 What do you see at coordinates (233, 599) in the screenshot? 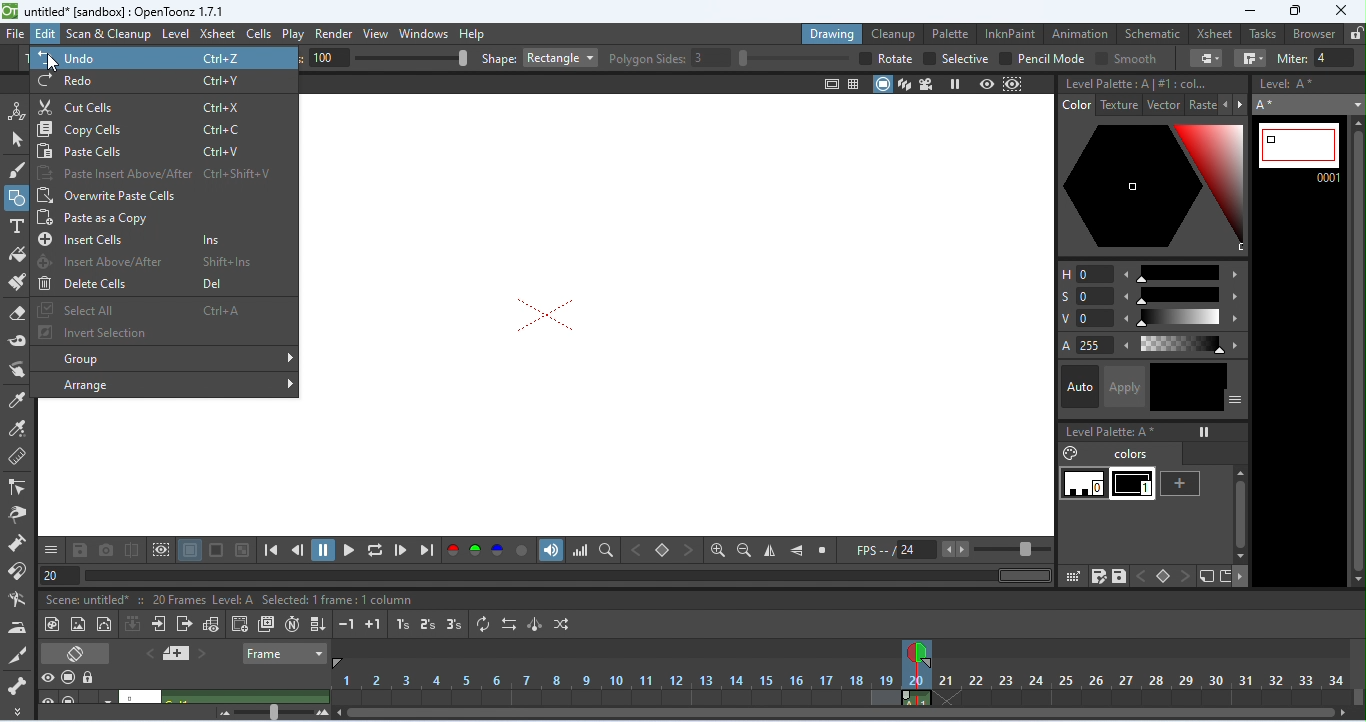
I see `level A` at bounding box center [233, 599].